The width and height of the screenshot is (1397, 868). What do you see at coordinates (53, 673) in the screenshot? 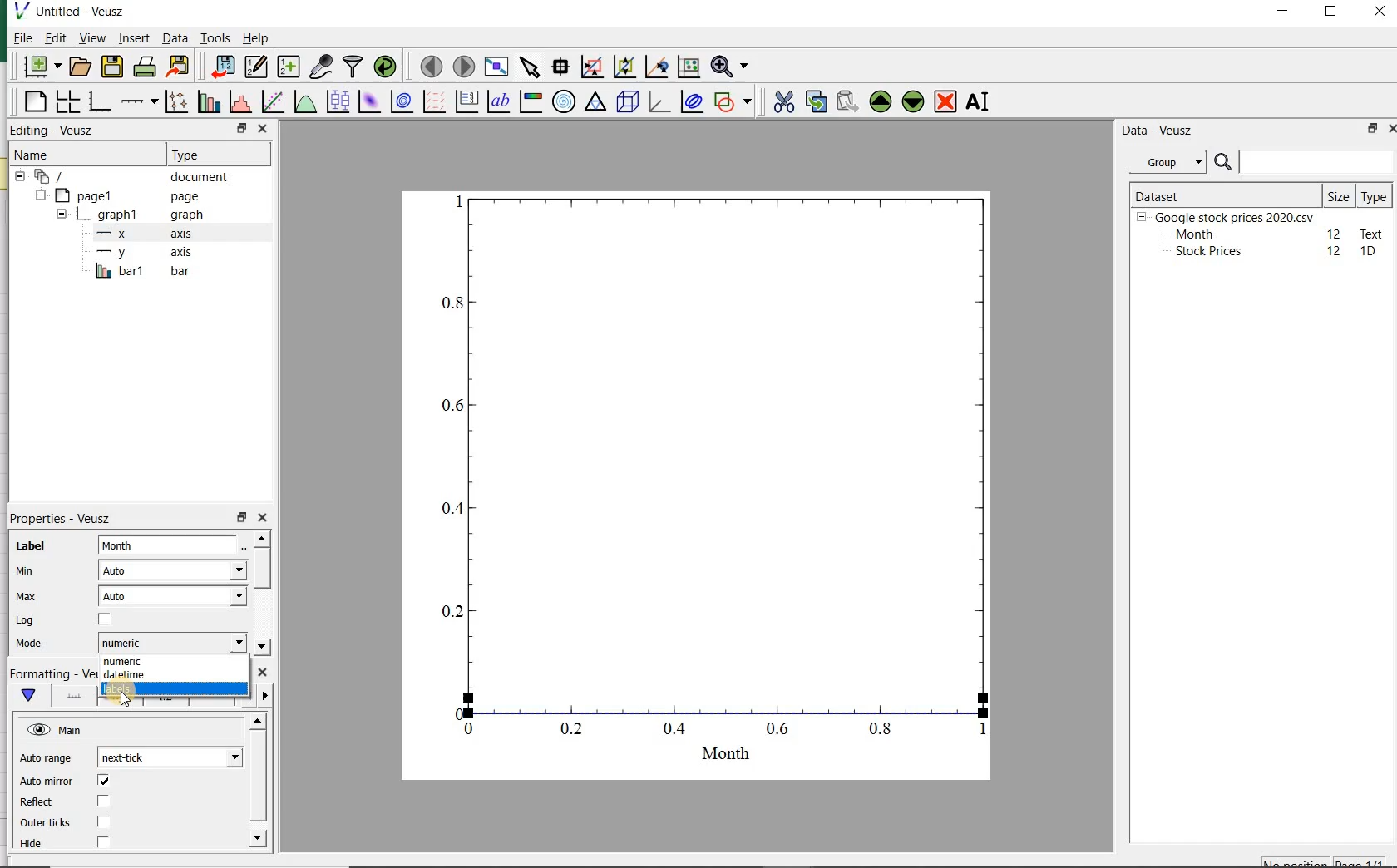
I see `Formatting - Veusz` at bounding box center [53, 673].